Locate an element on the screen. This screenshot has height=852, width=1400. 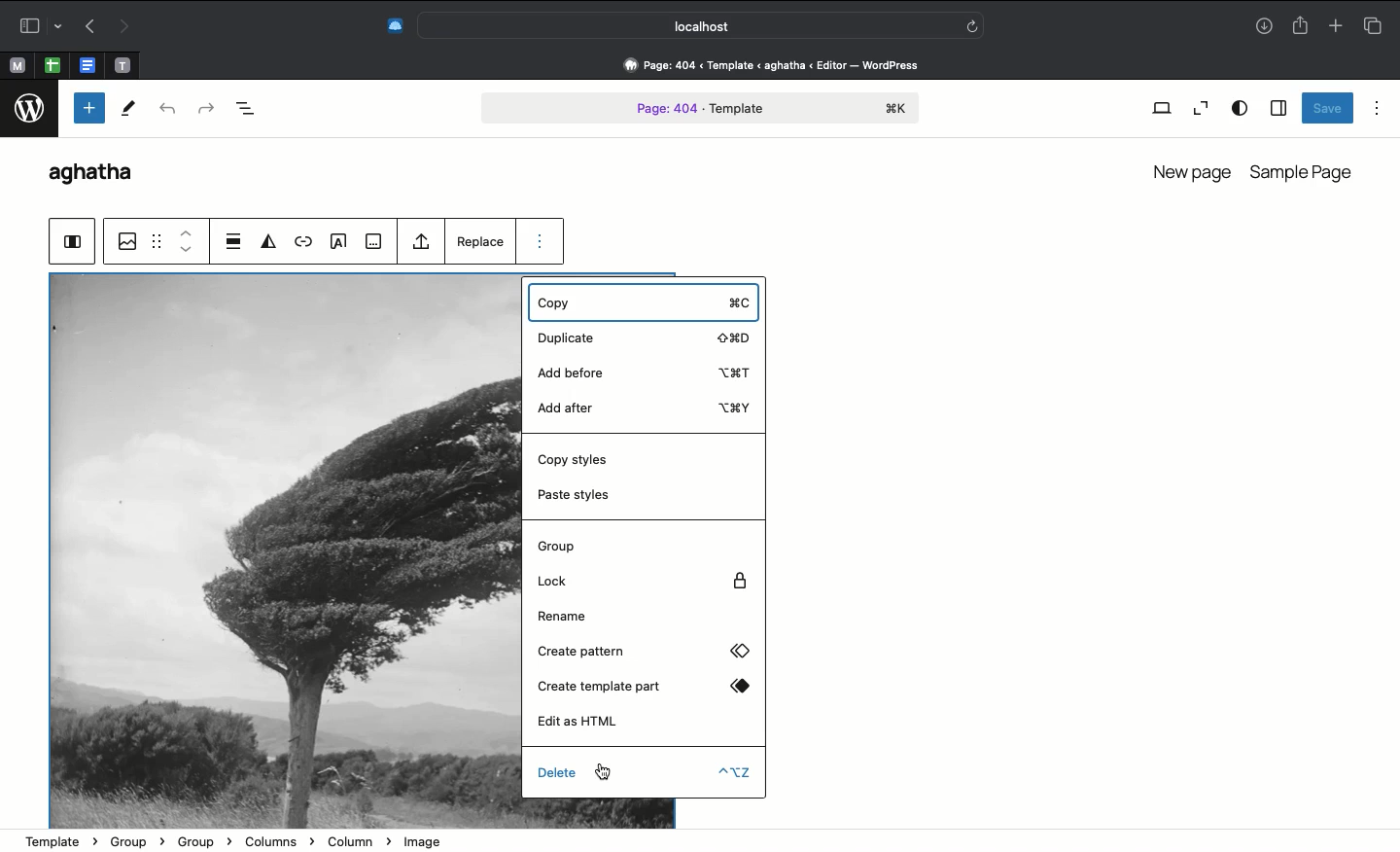
Share is located at coordinates (1299, 23).